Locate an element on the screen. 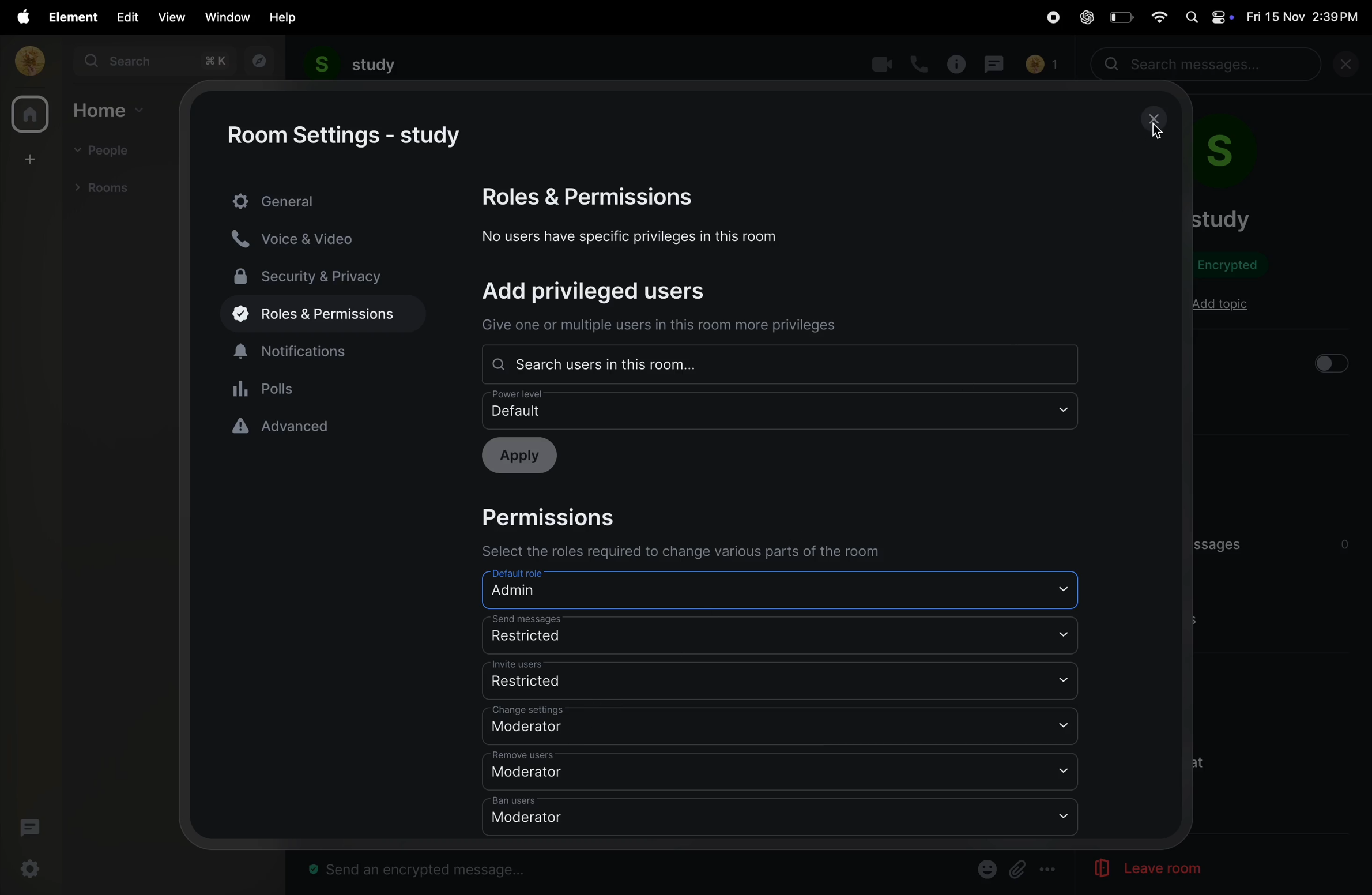 The height and width of the screenshot is (895, 1372). view is located at coordinates (170, 17).